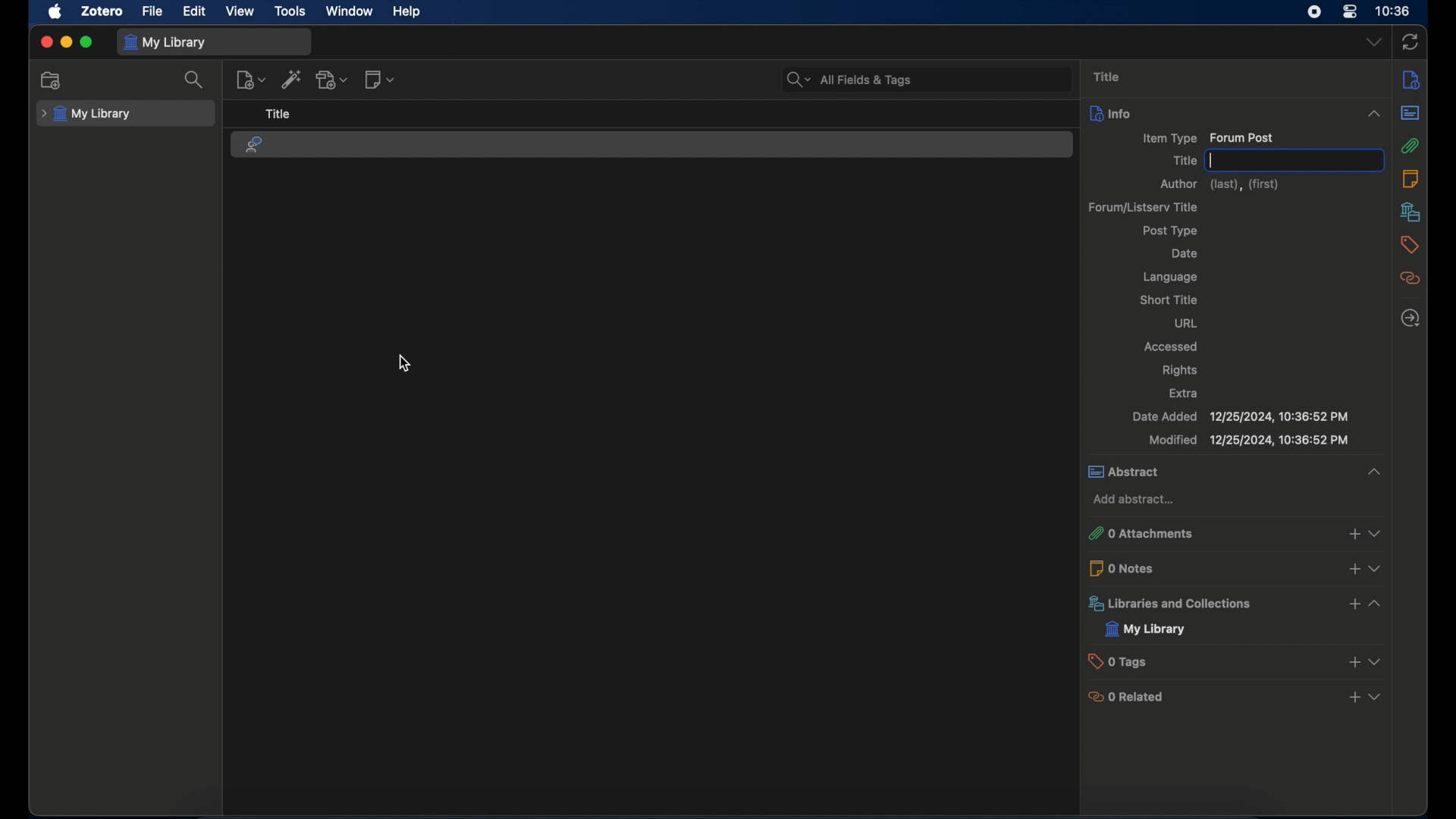 The width and height of the screenshot is (1456, 819). Describe the element at coordinates (379, 79) in the screenshot. I see `new note` at that location.